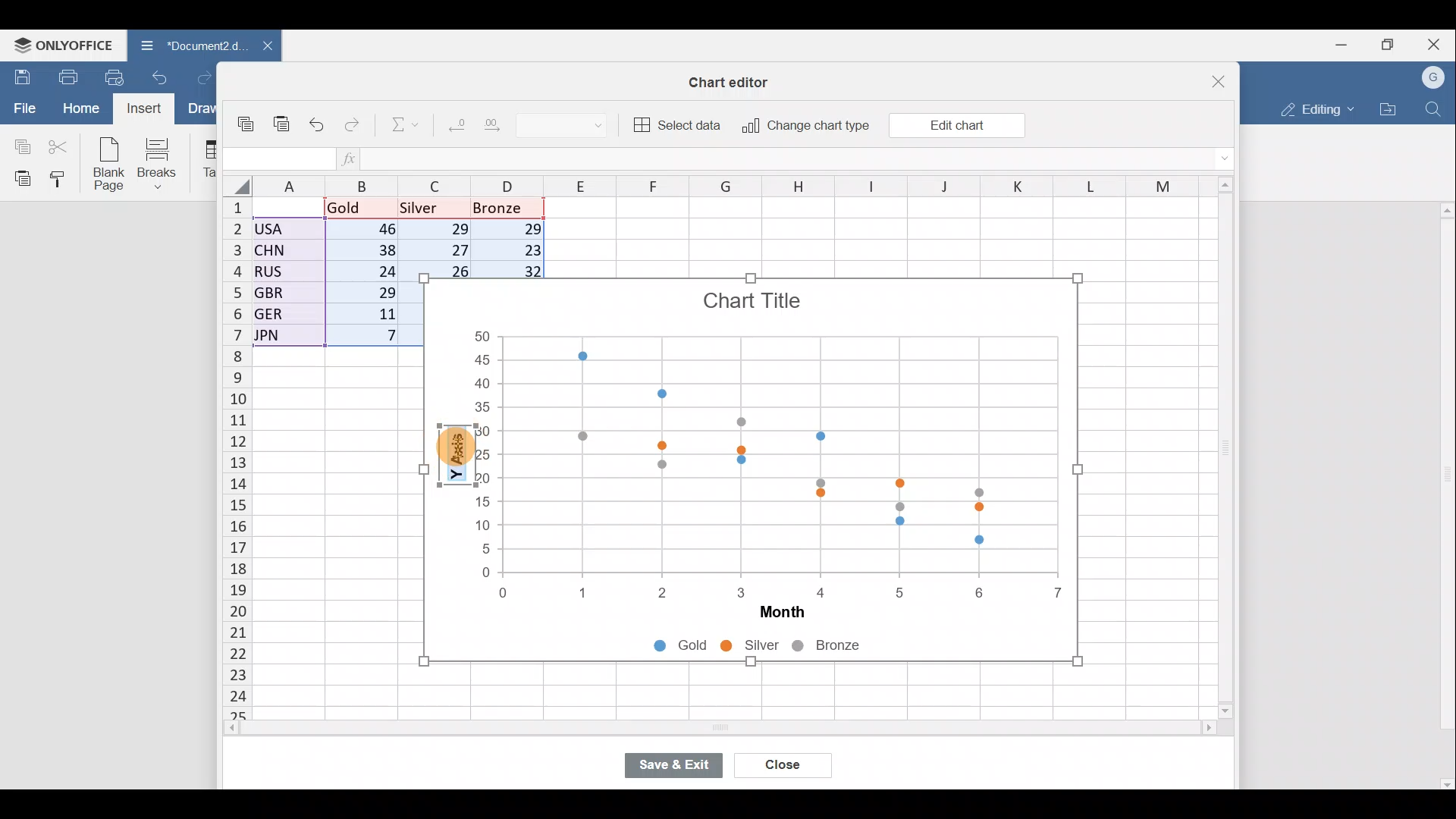 This screenshot has height=819, width=1456. I want to click on Print file, so click(63, 76).